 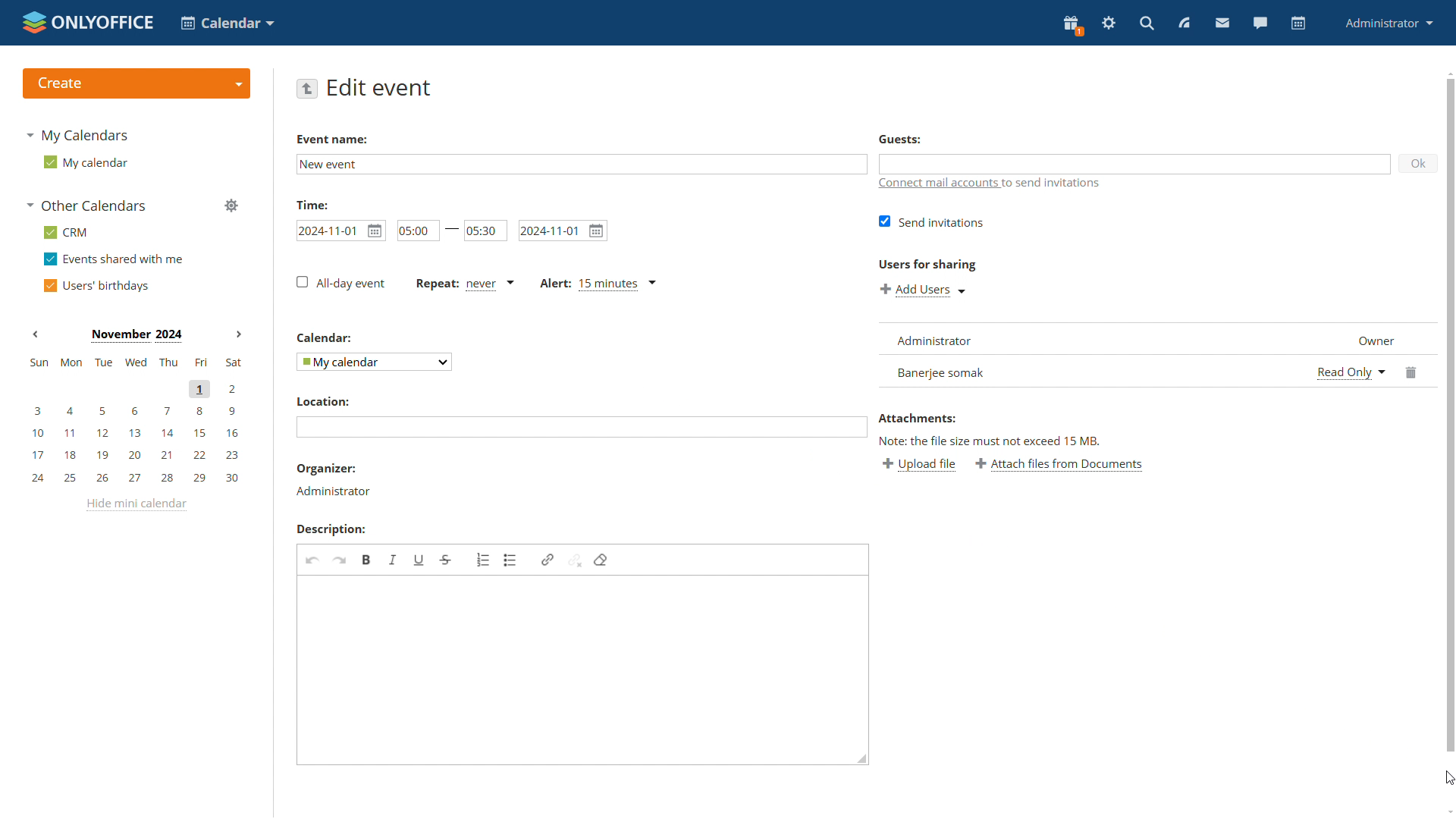 What do you see at coordinates (939, 185) in the screenshot?
I see `connect mail accounts` at bounding box center [939, 185].